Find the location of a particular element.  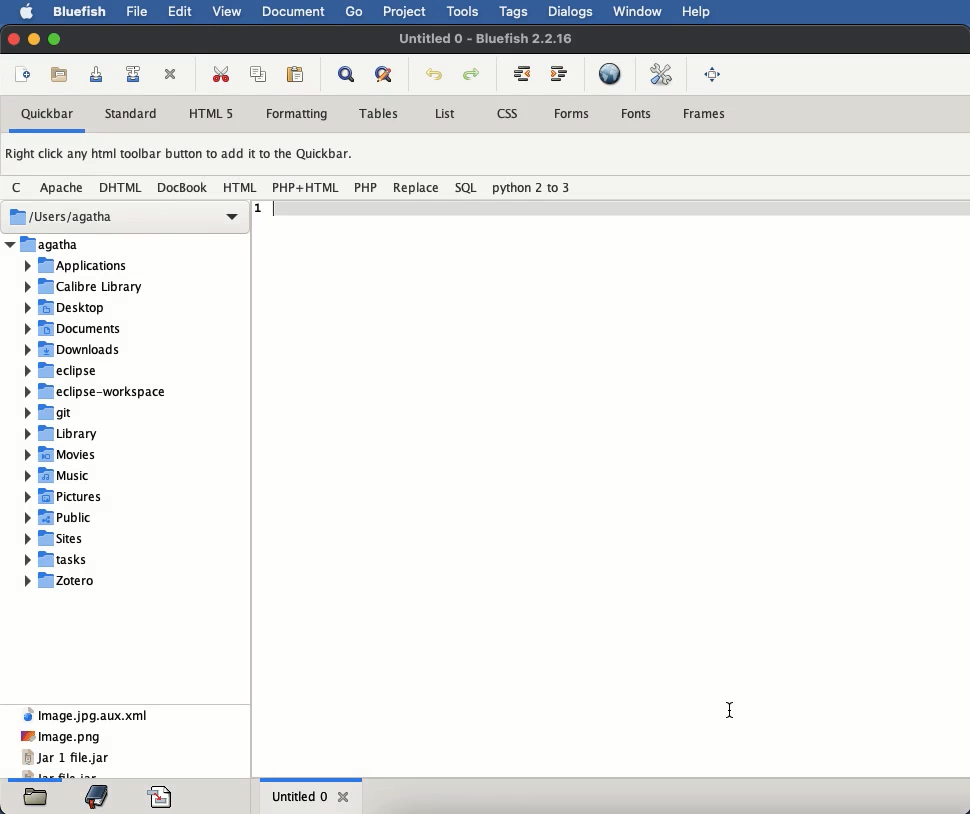

tags is located at coordinates (514, 12).